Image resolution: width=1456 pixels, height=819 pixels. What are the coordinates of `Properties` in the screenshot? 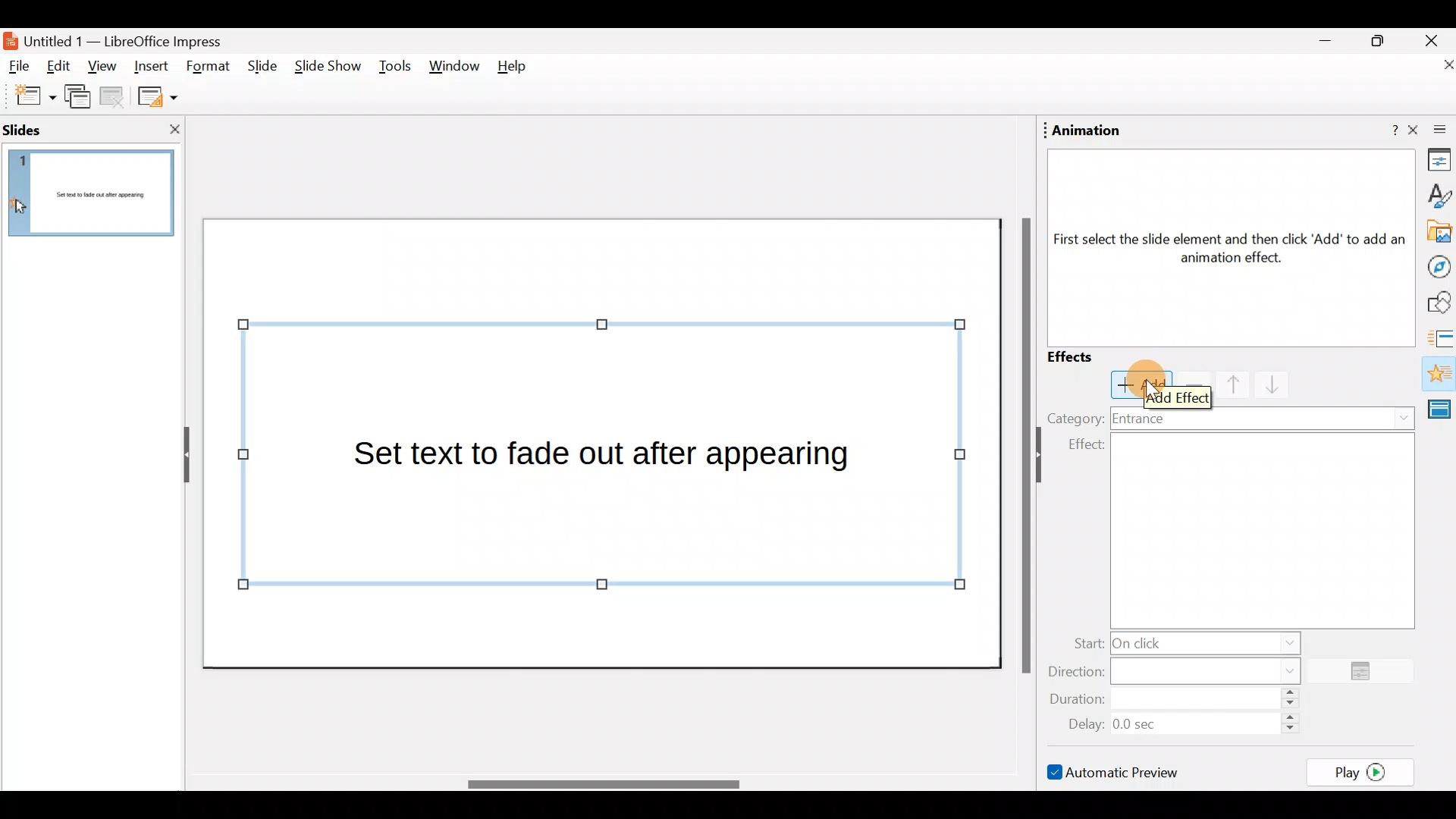 It's located at (1435, 162).